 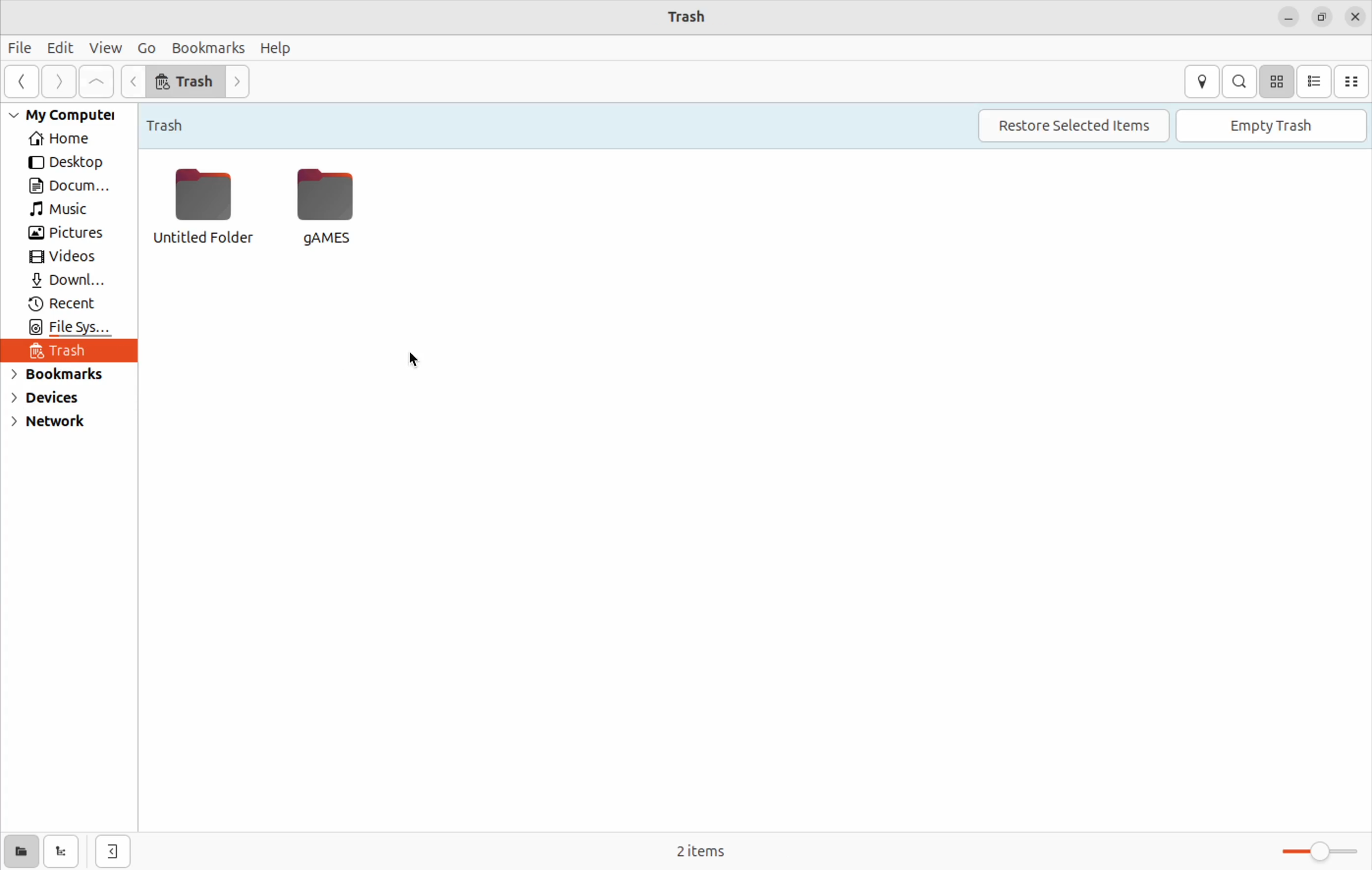 I want to click on Zoom, so click(x=1310, y=851).